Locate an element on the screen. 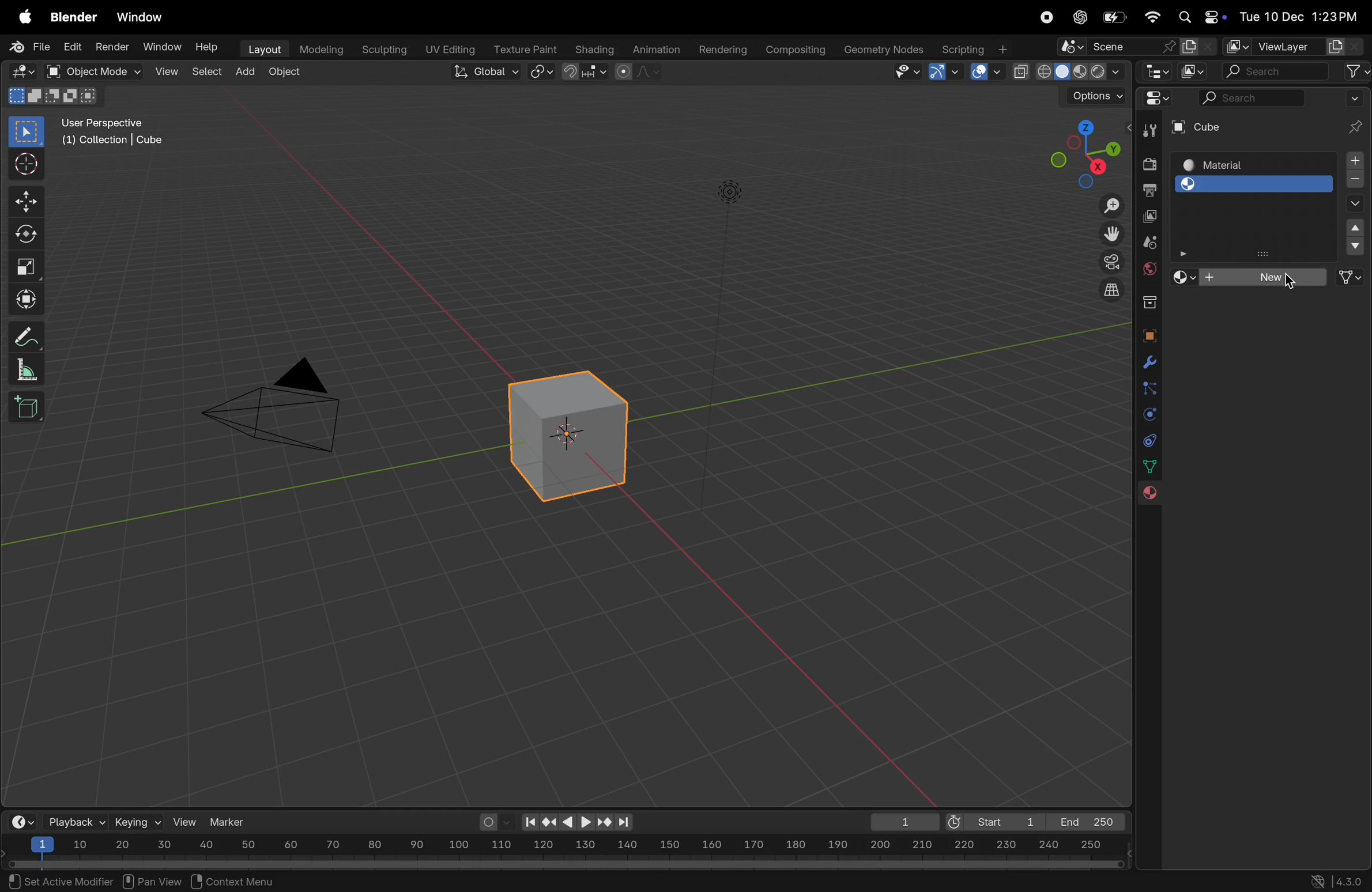  apple widgets is located at coordinates (1199, 17).